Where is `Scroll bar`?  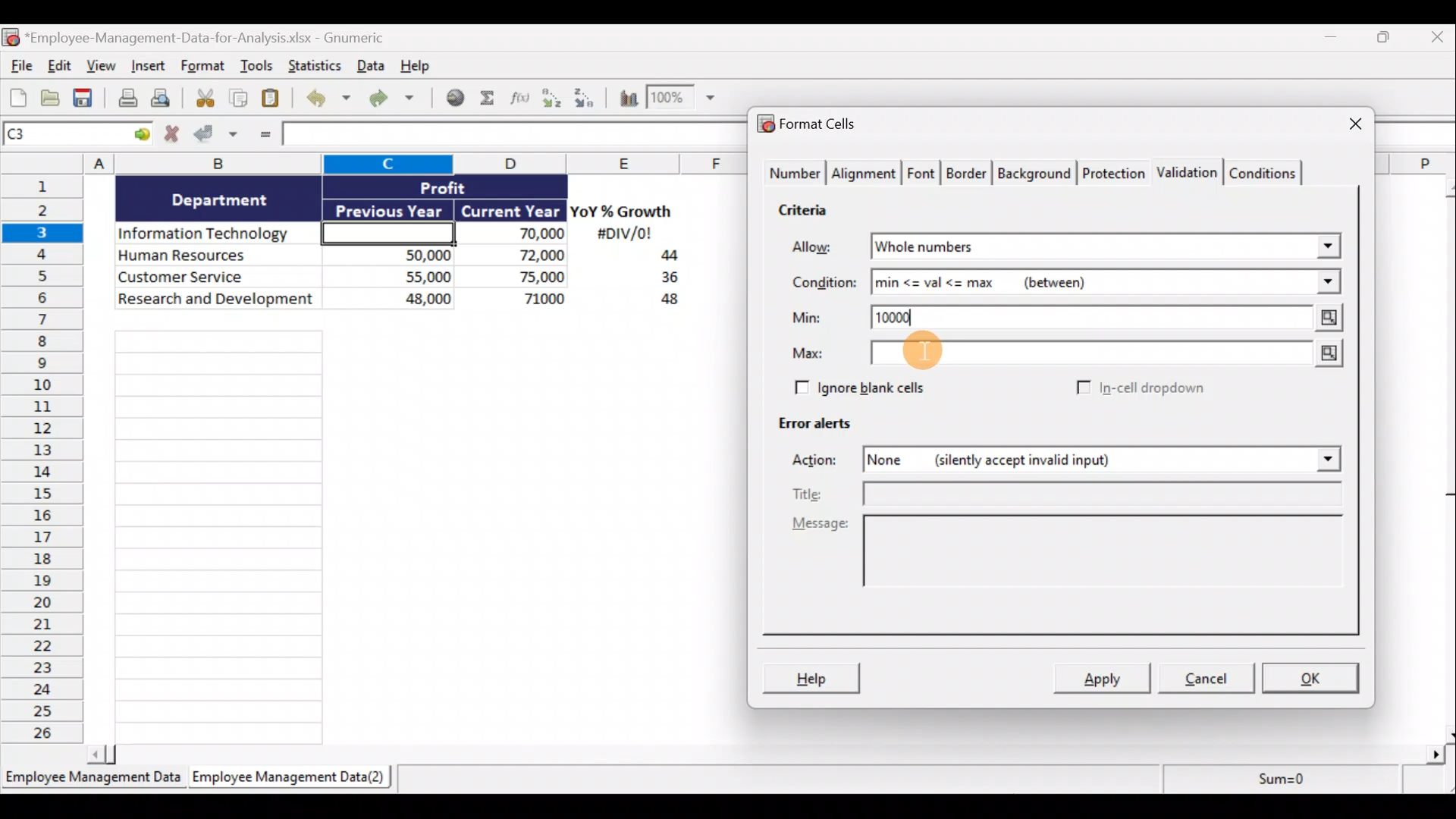
Scroll bar is located at coordinates (771, 752).